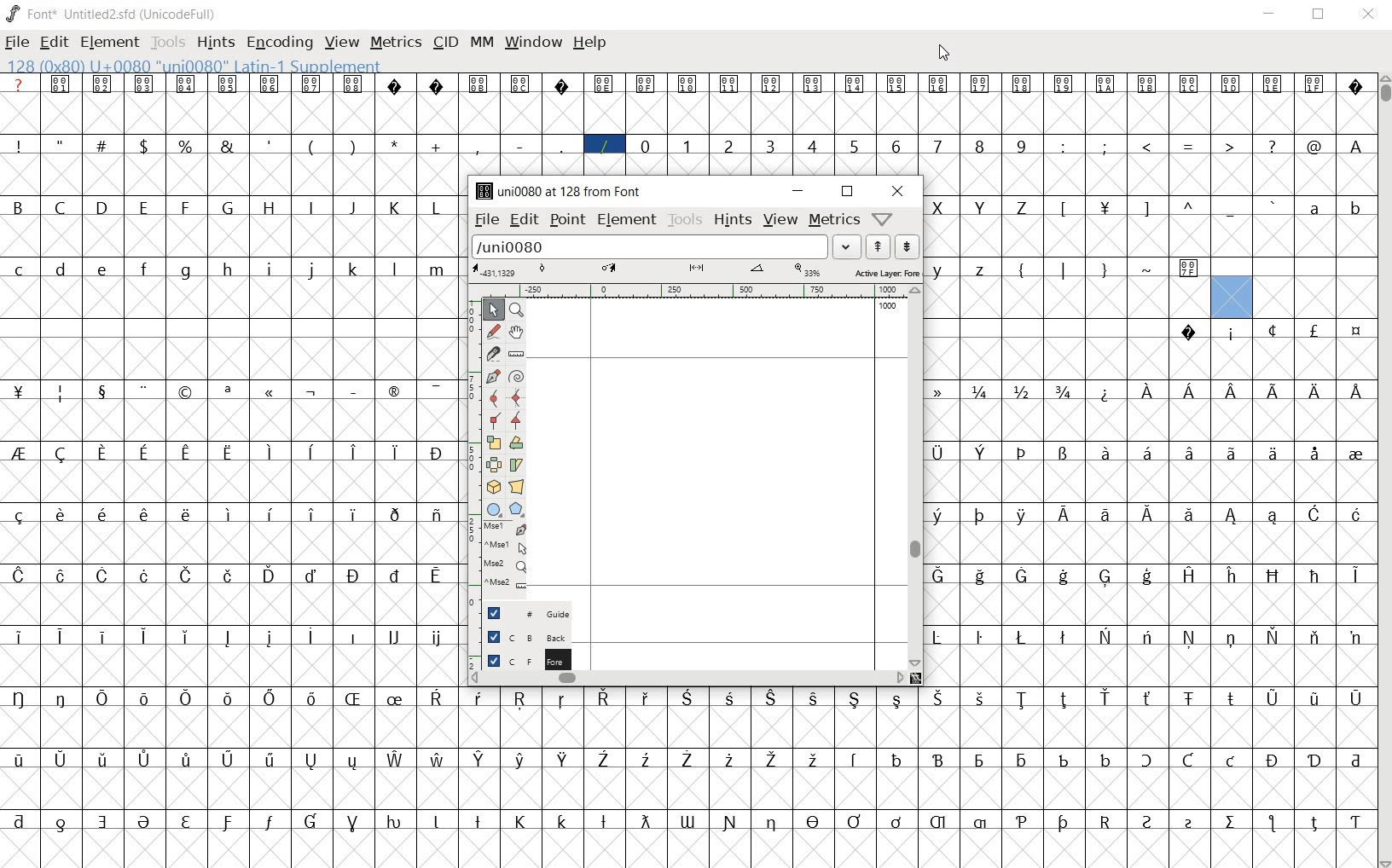 The width and height of the screenshot is (1392, 868). What do you see at coordinates (1273, 453) in the screenshot?
I see `glyph` at bounding box center [1273, 453].